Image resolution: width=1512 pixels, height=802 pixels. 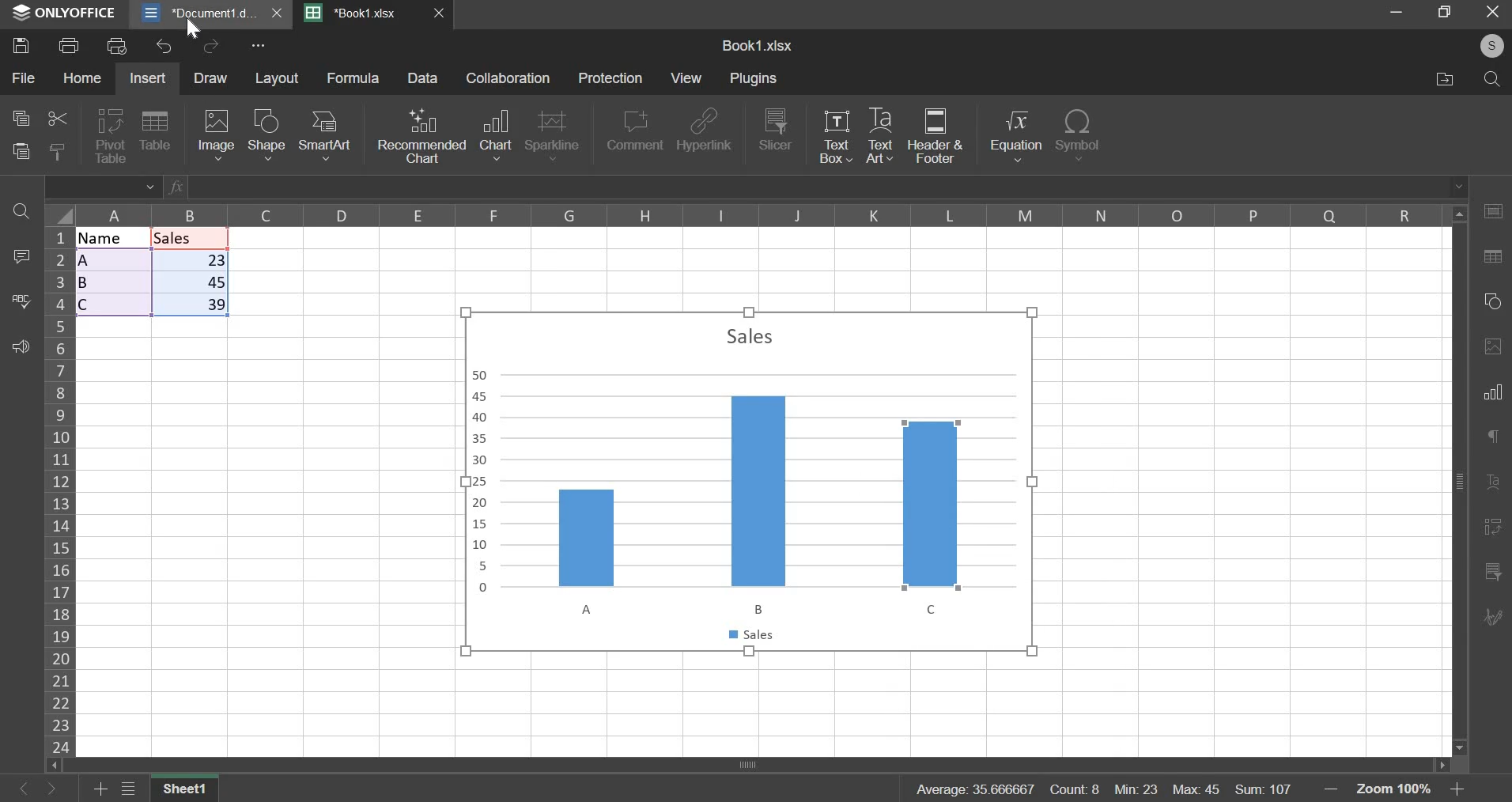 What do you see at coordinates (495, 134) in the screenshot?
I see `chart` at bounding box center [495, 134].